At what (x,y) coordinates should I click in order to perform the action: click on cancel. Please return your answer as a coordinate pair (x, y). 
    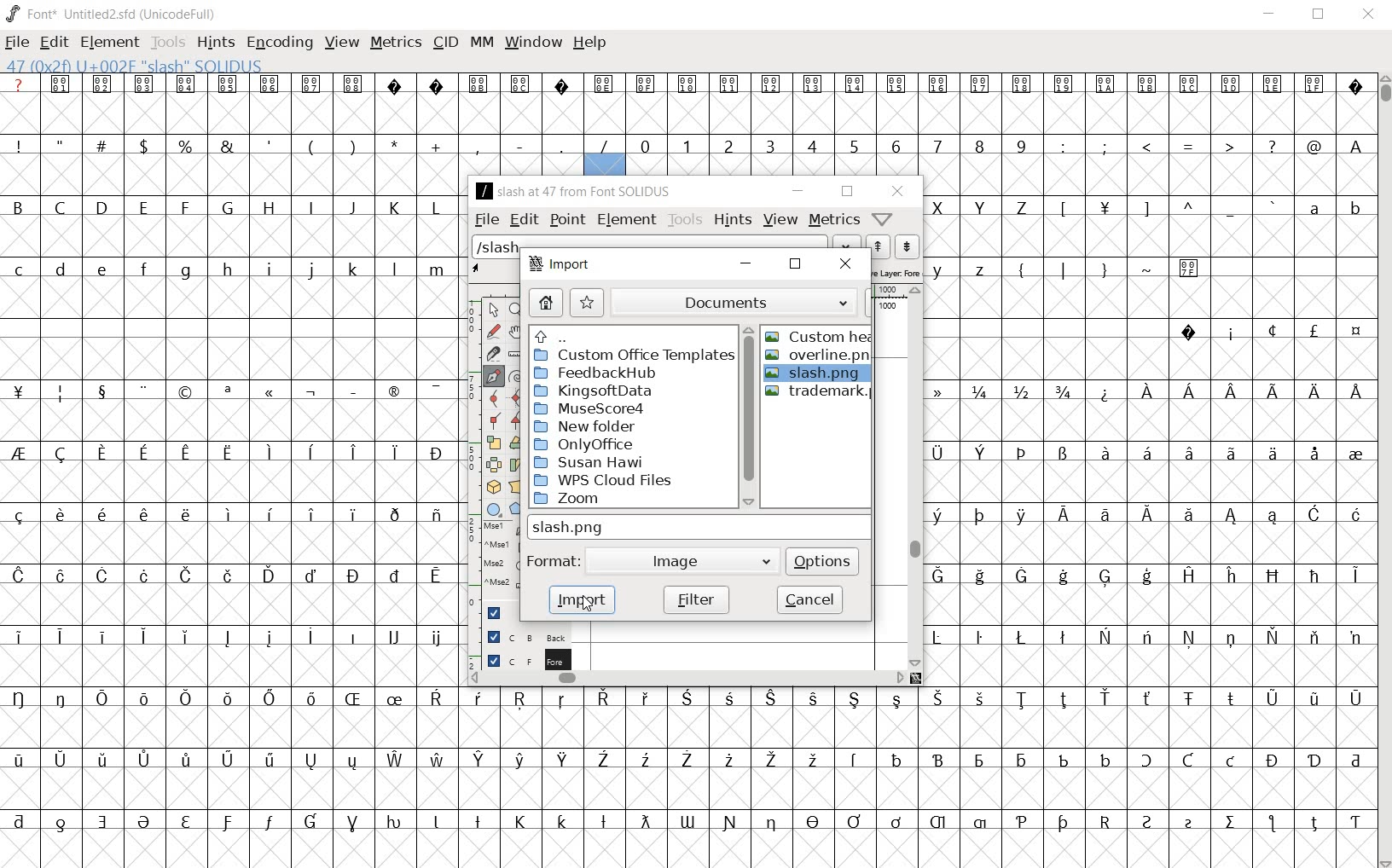
    Looking at the image, I should click on (813, 599).